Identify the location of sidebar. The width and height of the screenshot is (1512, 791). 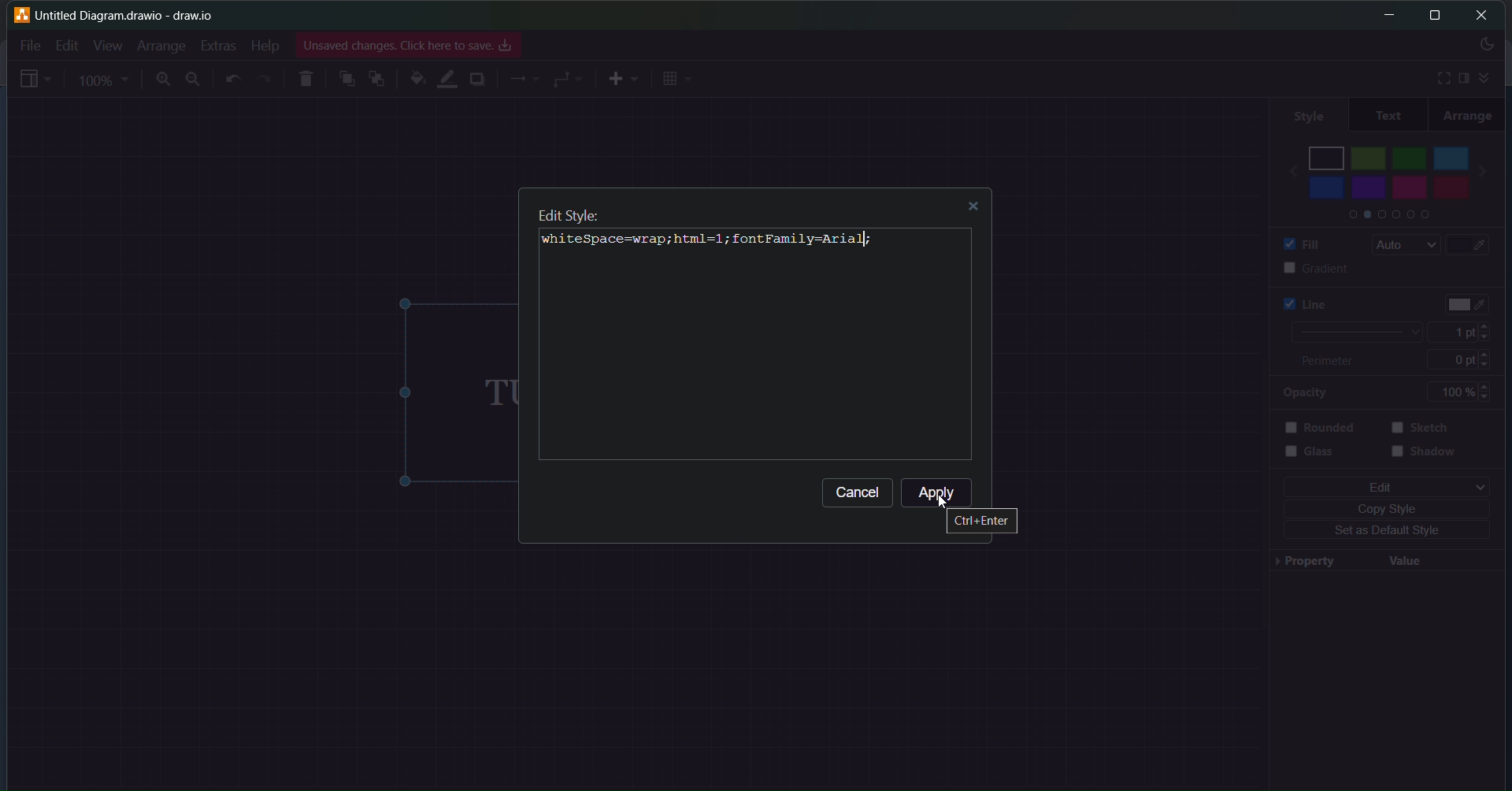
(1463, 78).